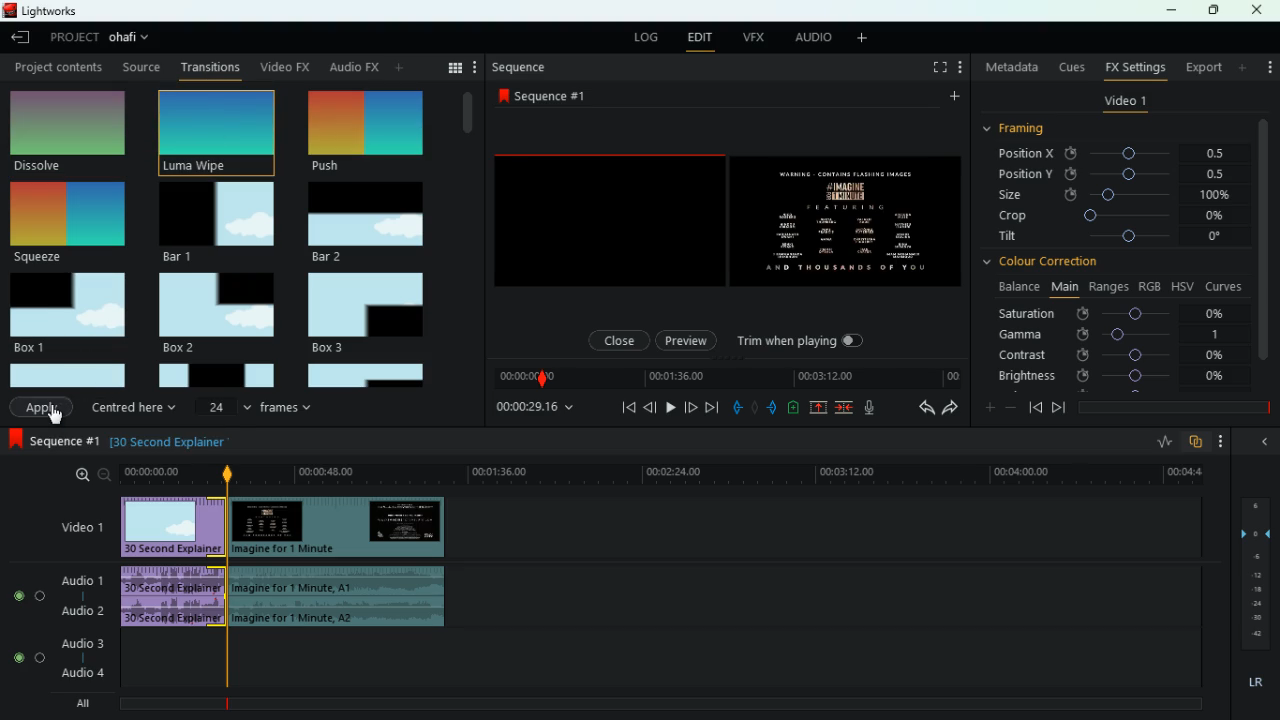 The width and height of the screenshot is (1280, 720). What do you see at coordinates (57, 66) in the screenshot?
I see `Project content` at bounding box center [57, 66].